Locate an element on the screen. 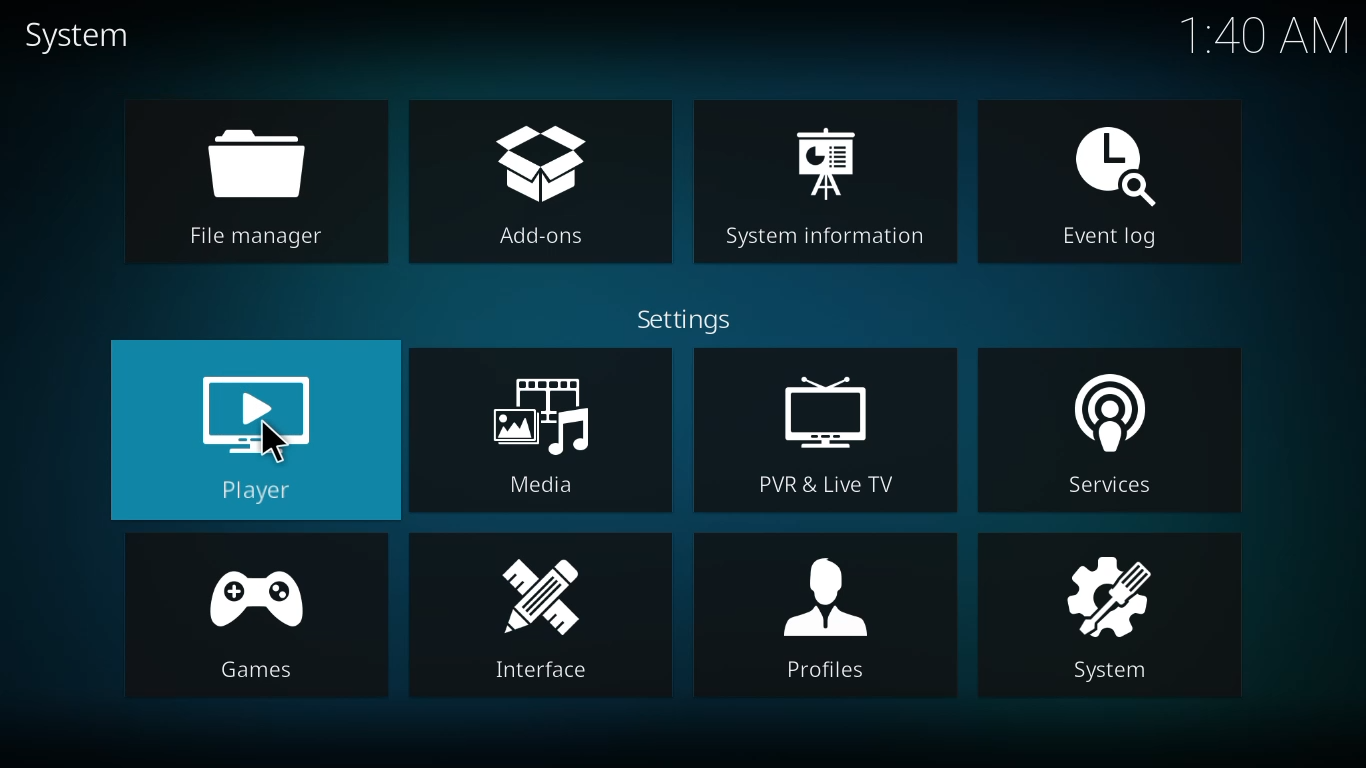 The width and height of the screenshot is (1366, 768). games is located at coordinates (256, 616).